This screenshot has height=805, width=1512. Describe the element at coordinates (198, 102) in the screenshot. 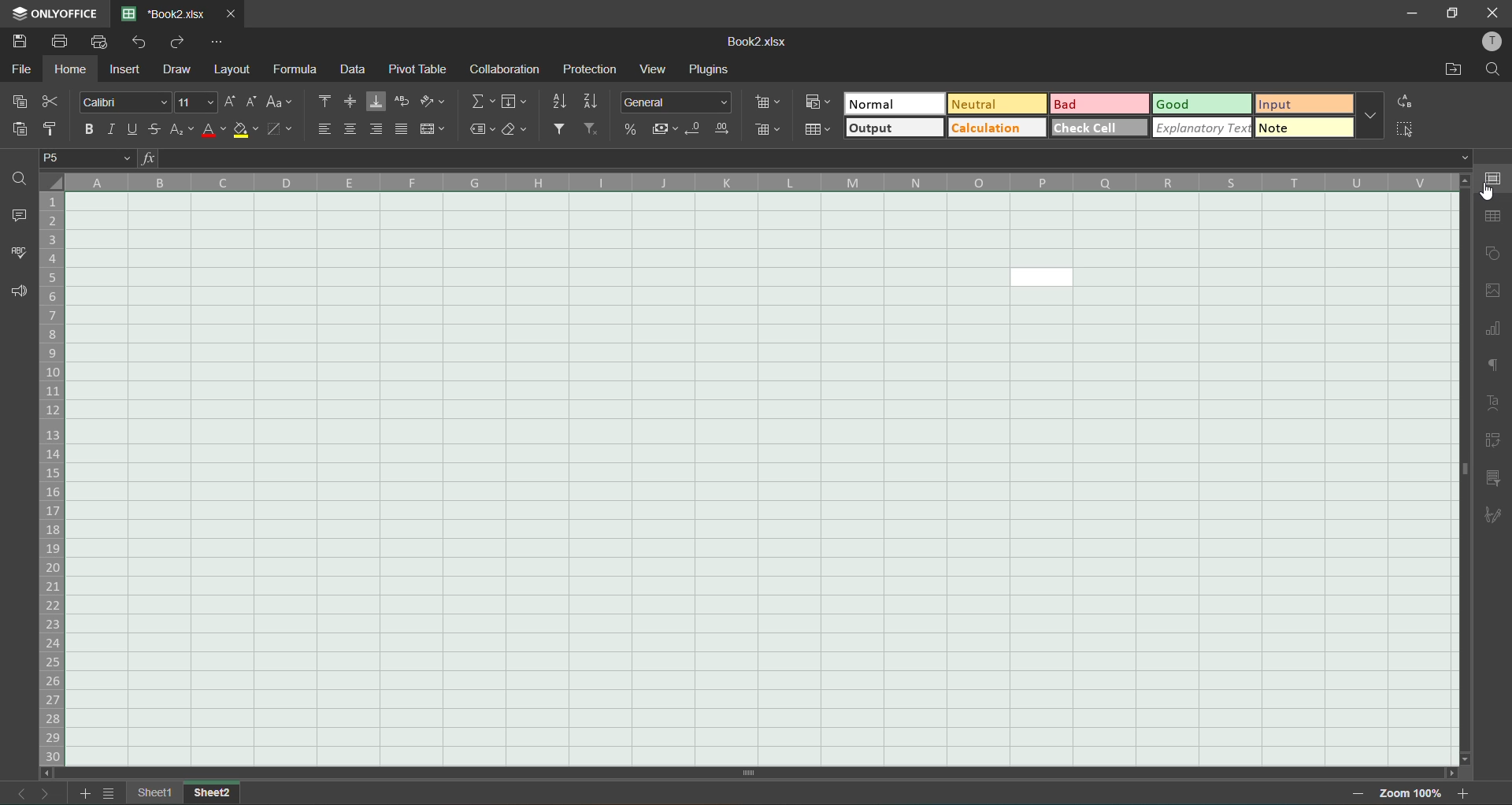

I see `font size` at that location.